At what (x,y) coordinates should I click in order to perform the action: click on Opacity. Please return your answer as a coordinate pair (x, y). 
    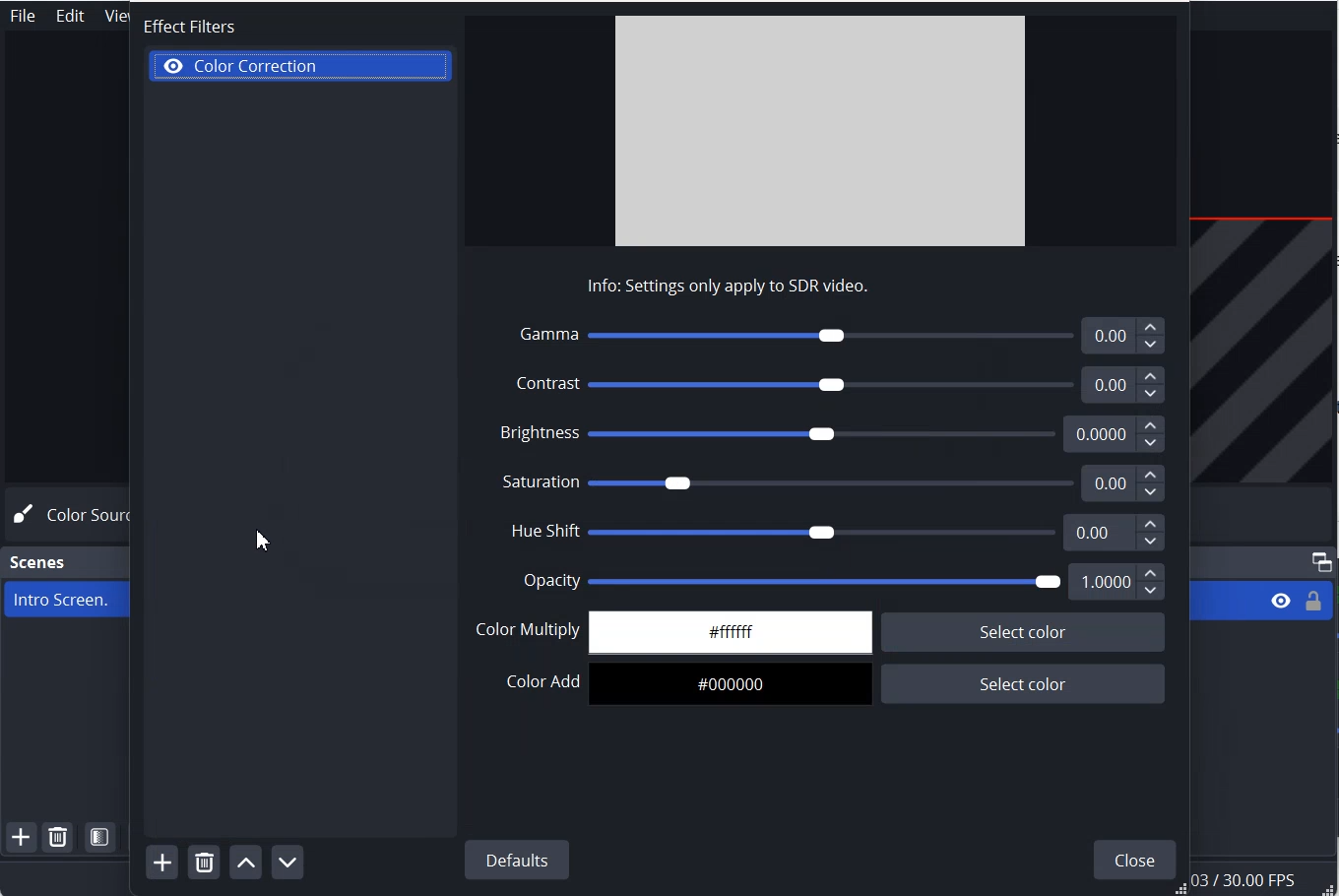
    Looking at the image, I should click on (843, 582).